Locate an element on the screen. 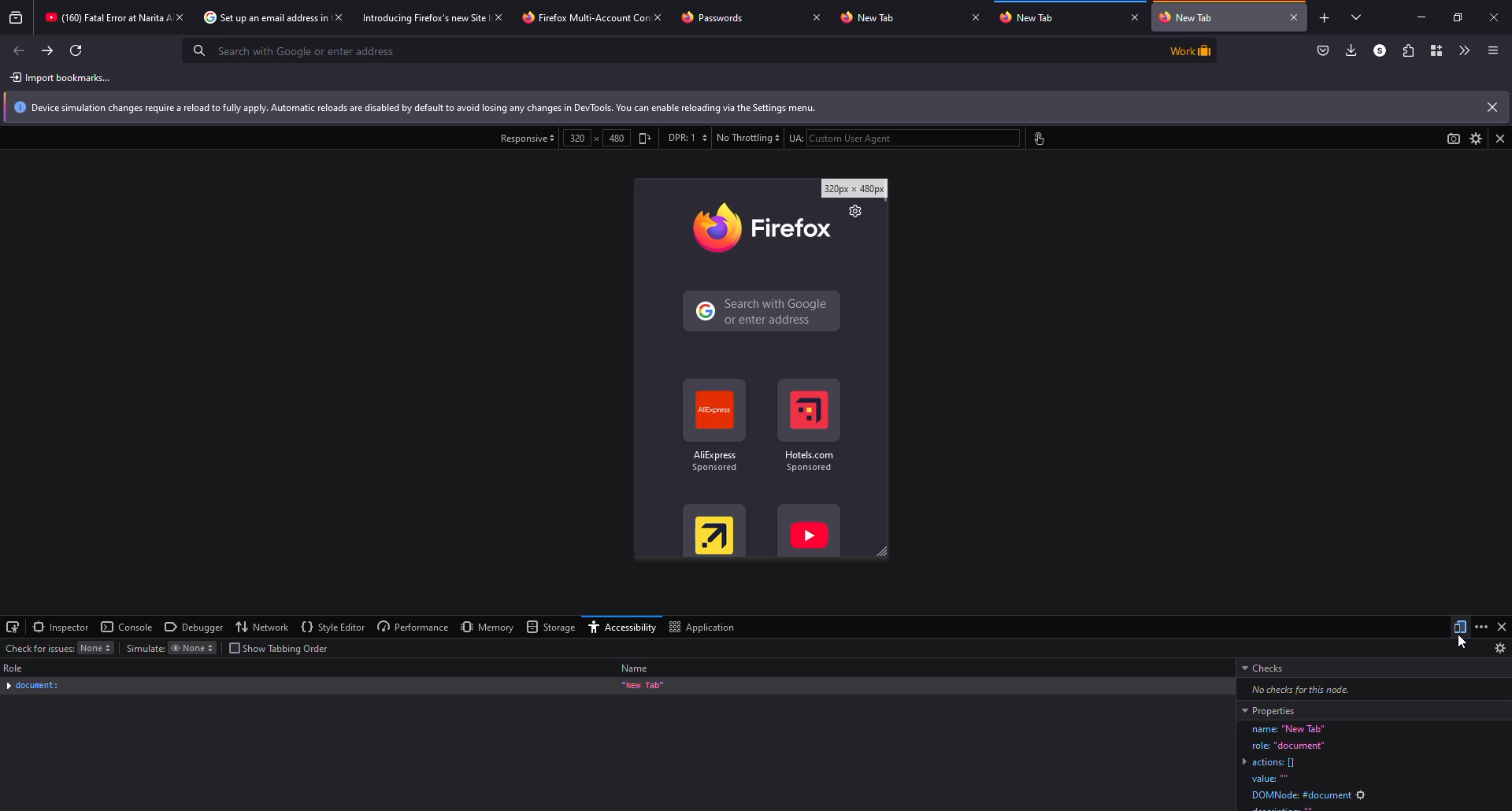 The width and height of the screenshot is (1512, 811). close is located at coordinates (1492, 107).